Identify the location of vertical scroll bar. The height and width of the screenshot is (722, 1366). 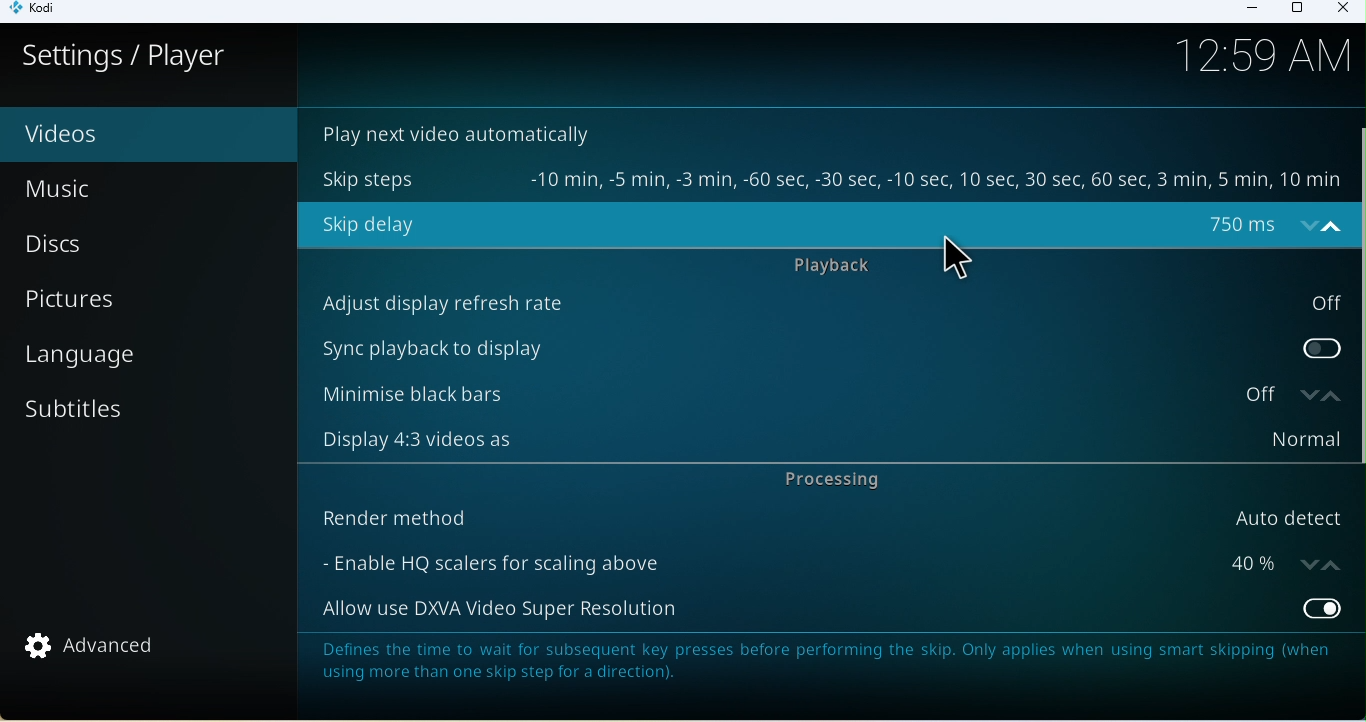
(1357, 294).